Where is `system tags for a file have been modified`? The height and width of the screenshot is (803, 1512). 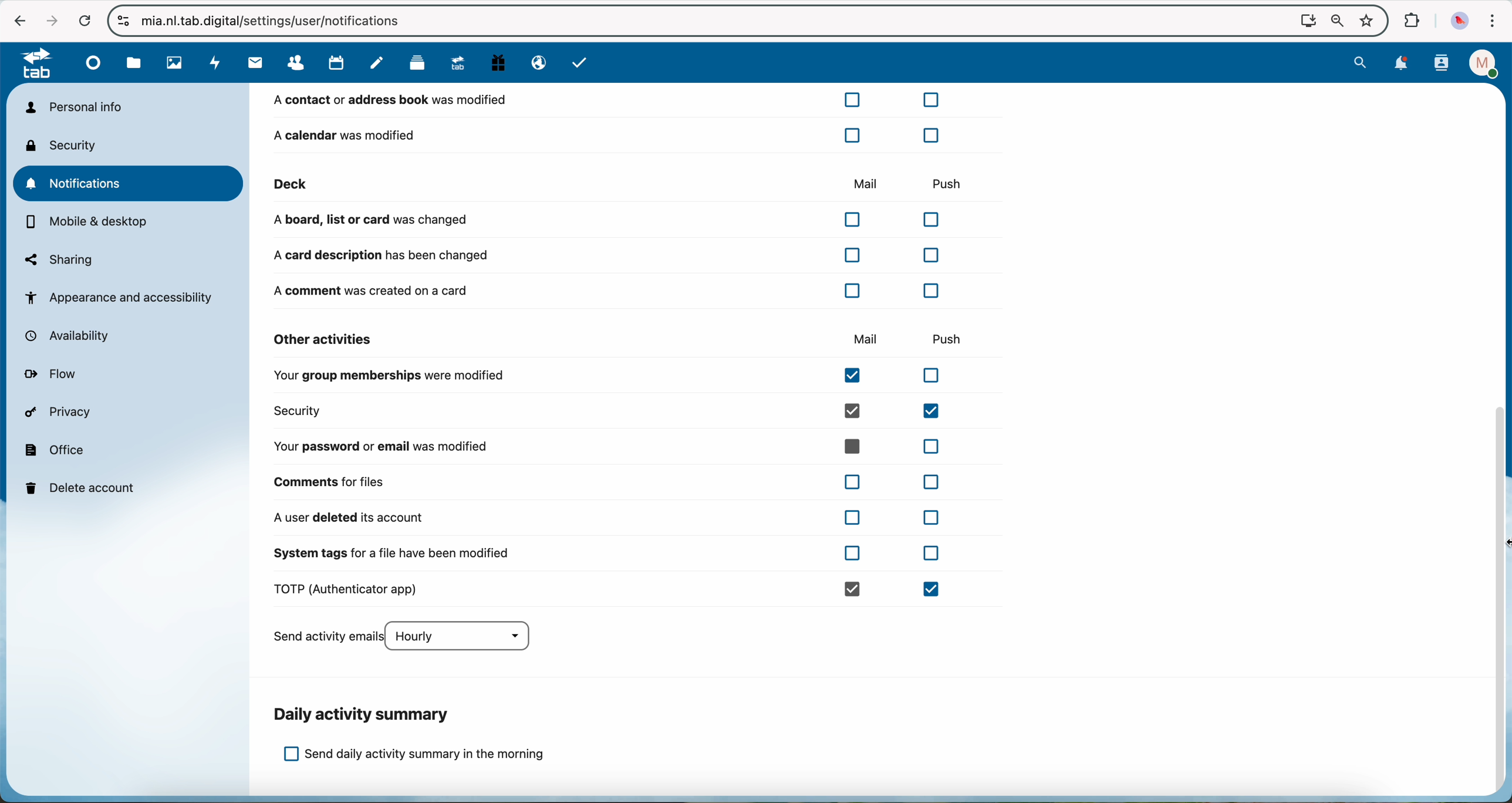 system tags for a file have been modified is located at coordinates (606, 558).